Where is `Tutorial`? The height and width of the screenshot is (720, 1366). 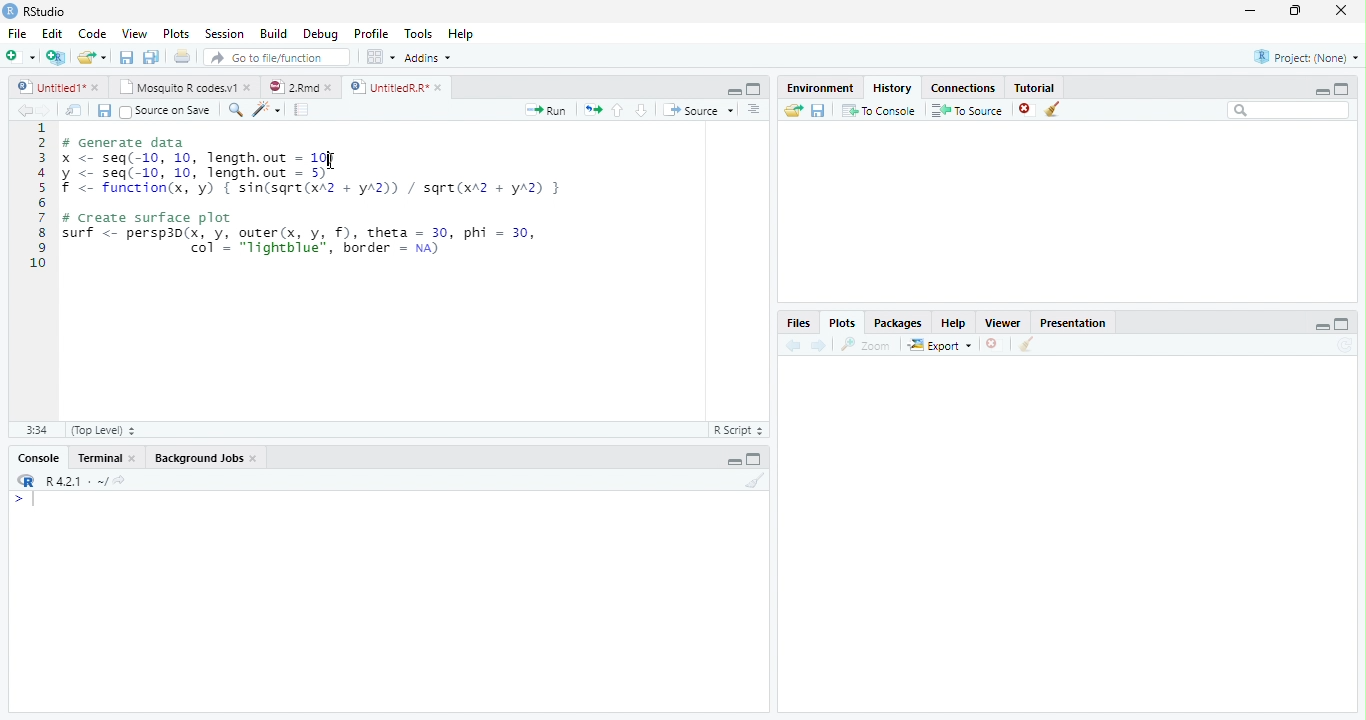
Tutorial is located at coordinates (1034, 86).